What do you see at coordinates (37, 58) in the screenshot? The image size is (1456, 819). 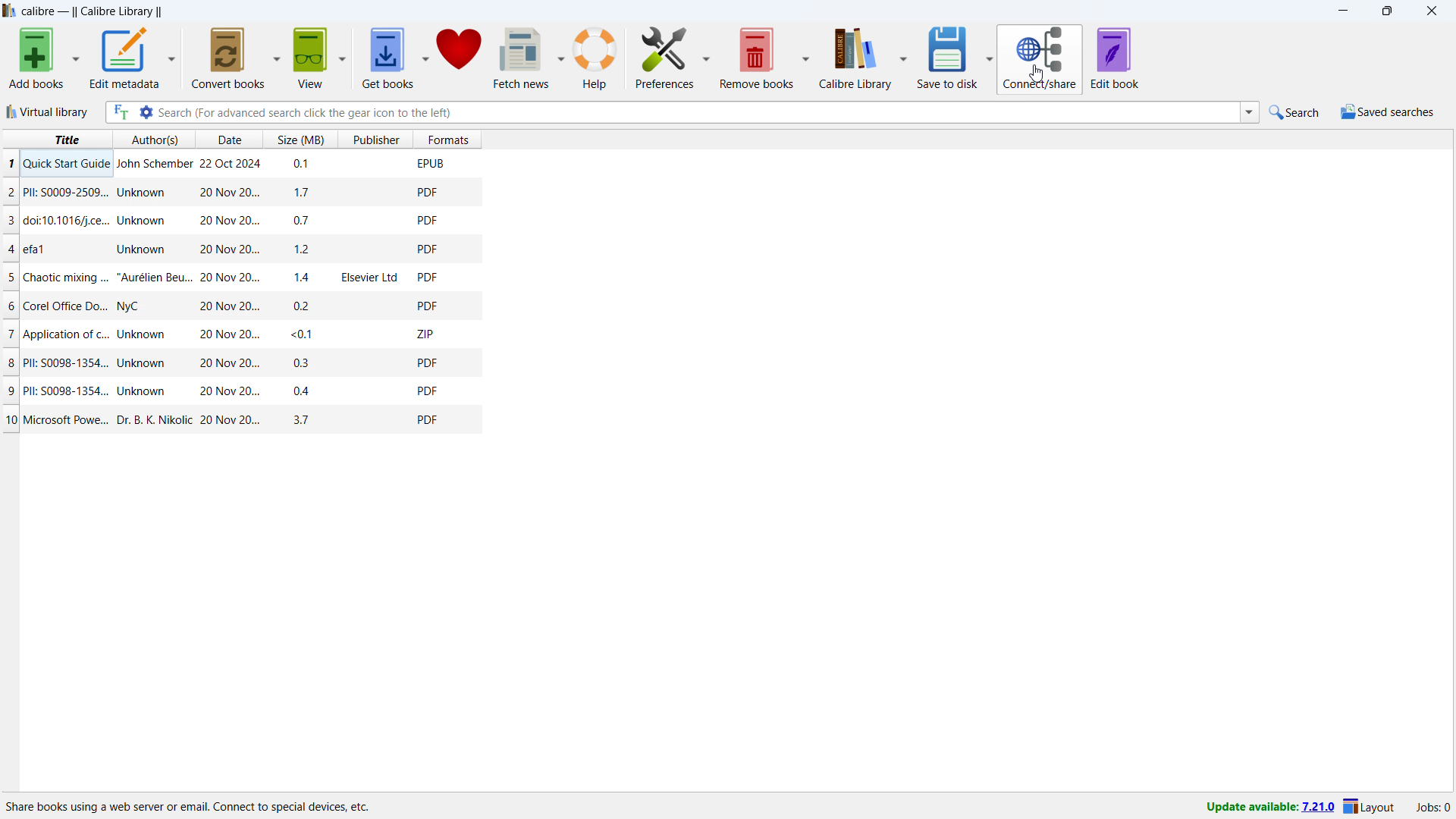 I see `add books` at bounding box center [37, 58].